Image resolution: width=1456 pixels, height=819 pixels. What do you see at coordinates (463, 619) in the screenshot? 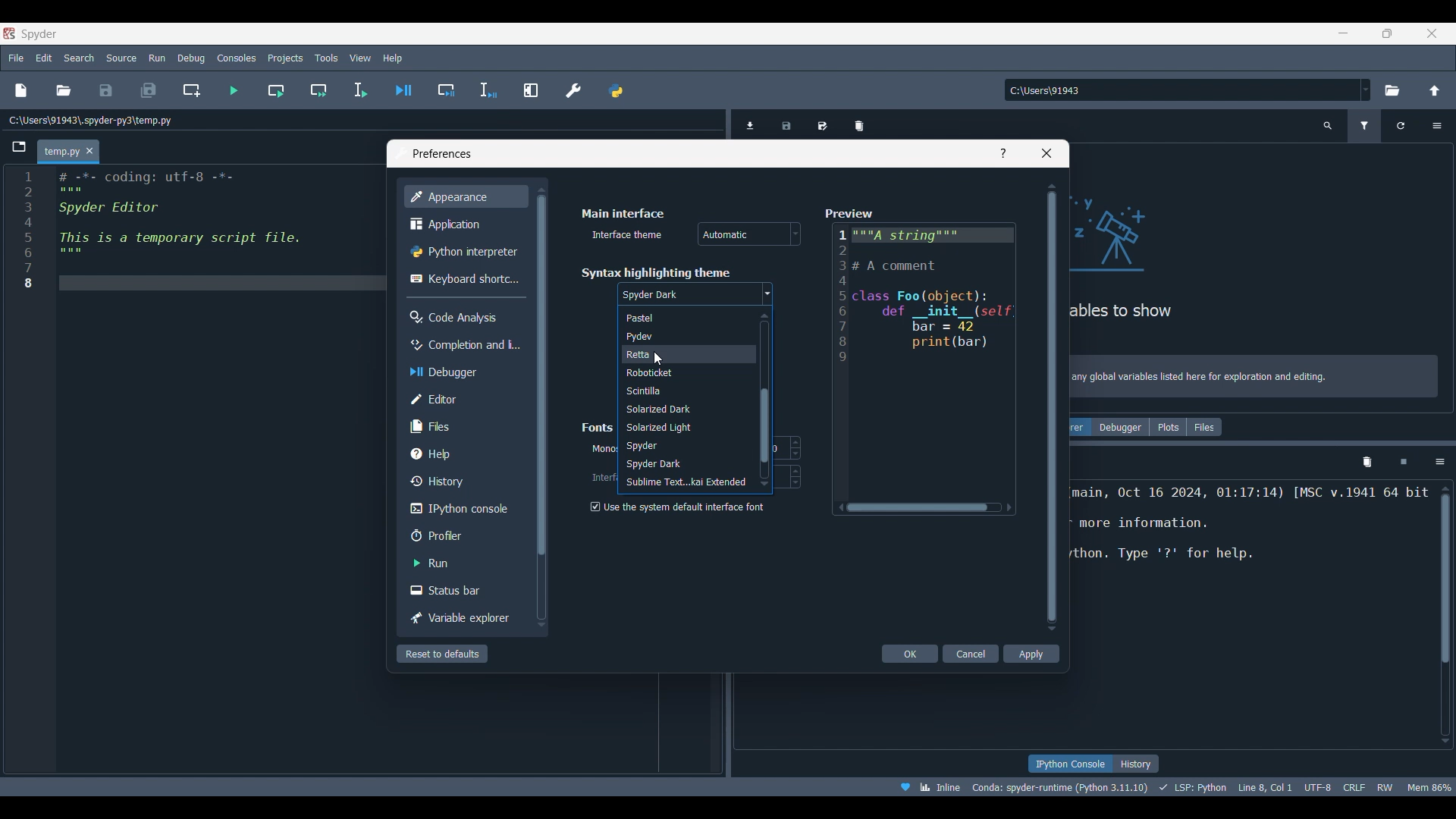
I see `Variable explorer` at bounding box center [463, 619].